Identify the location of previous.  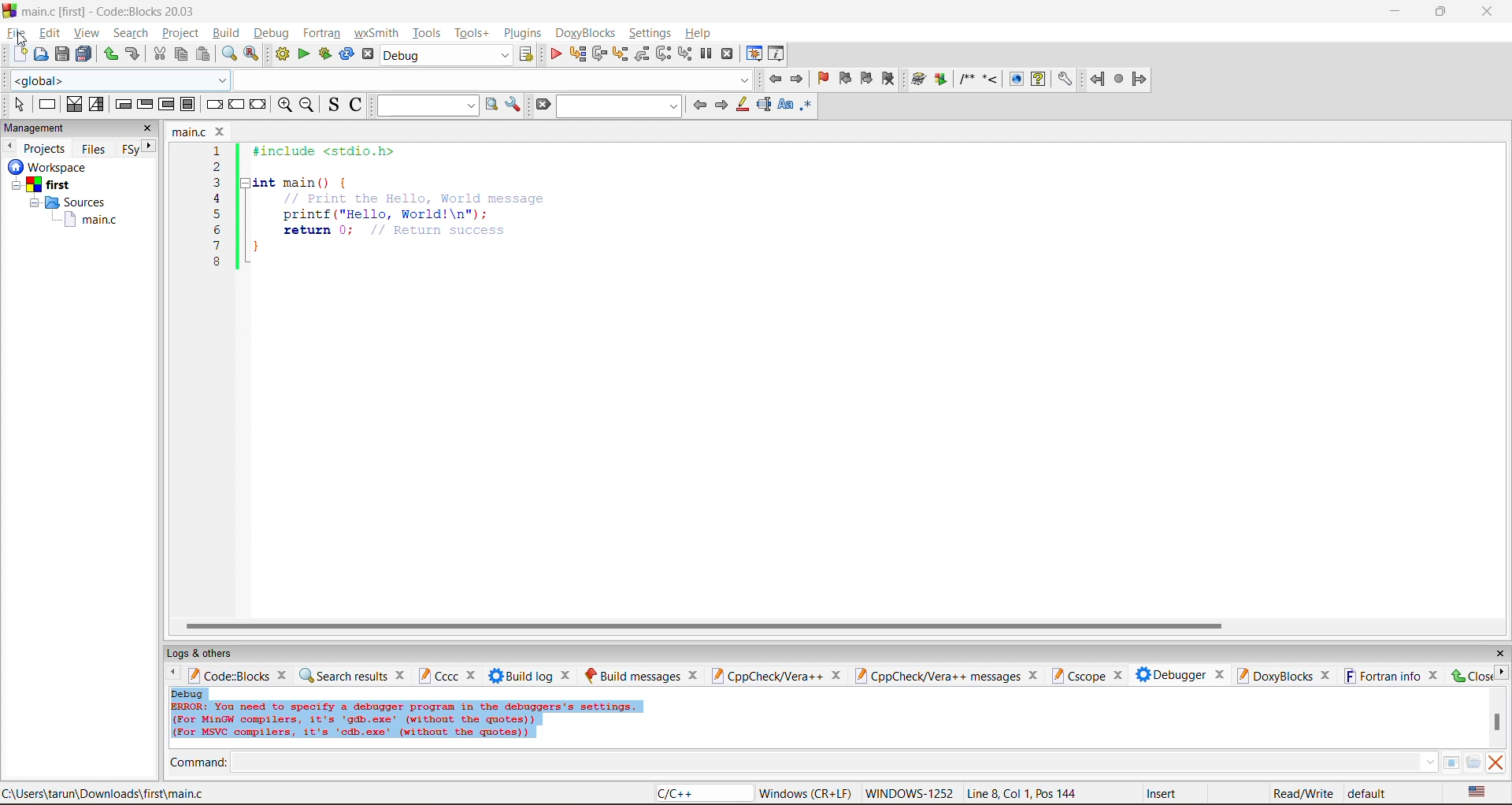
(699, 105).